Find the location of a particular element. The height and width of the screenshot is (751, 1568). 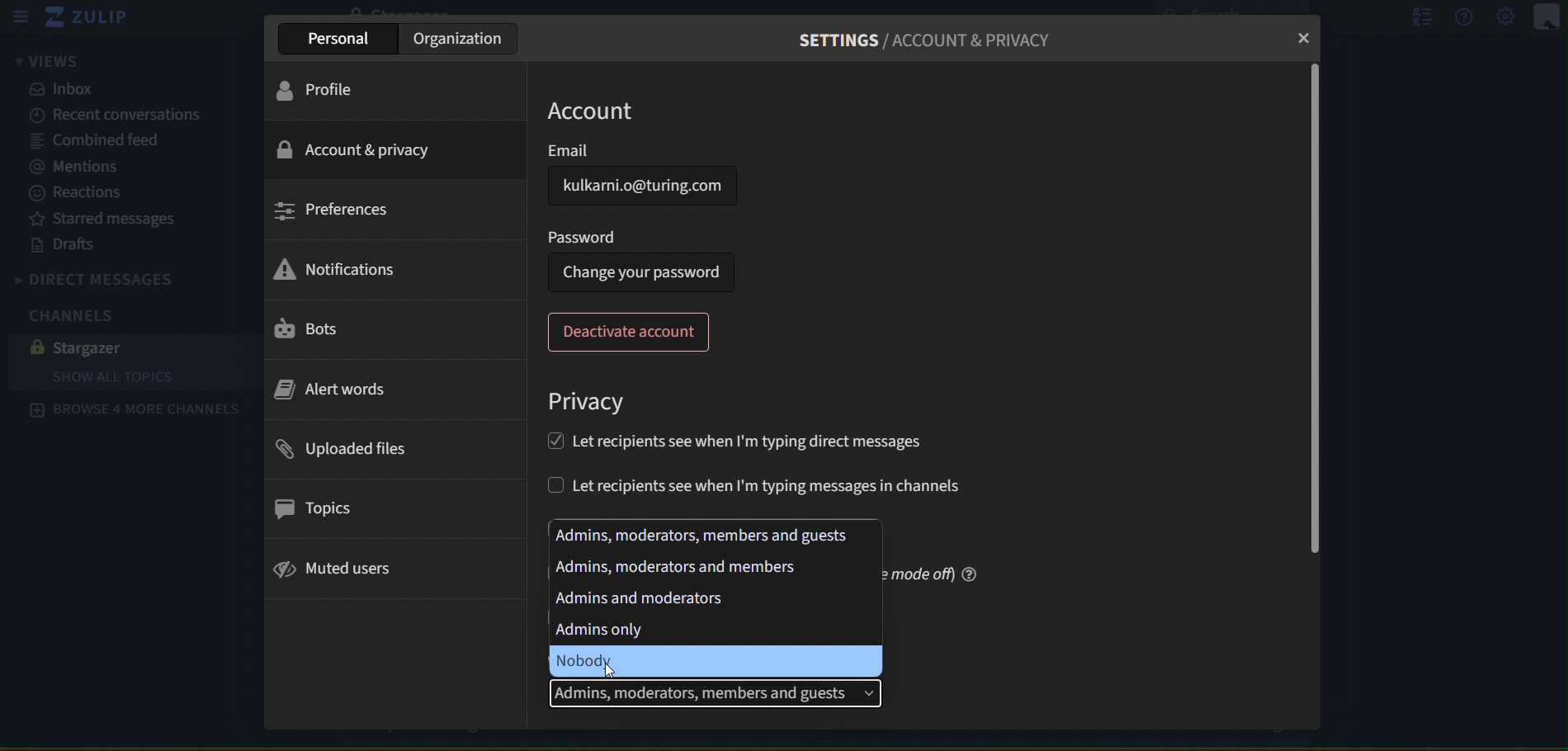

muted users is located at coordinates (339, 568).